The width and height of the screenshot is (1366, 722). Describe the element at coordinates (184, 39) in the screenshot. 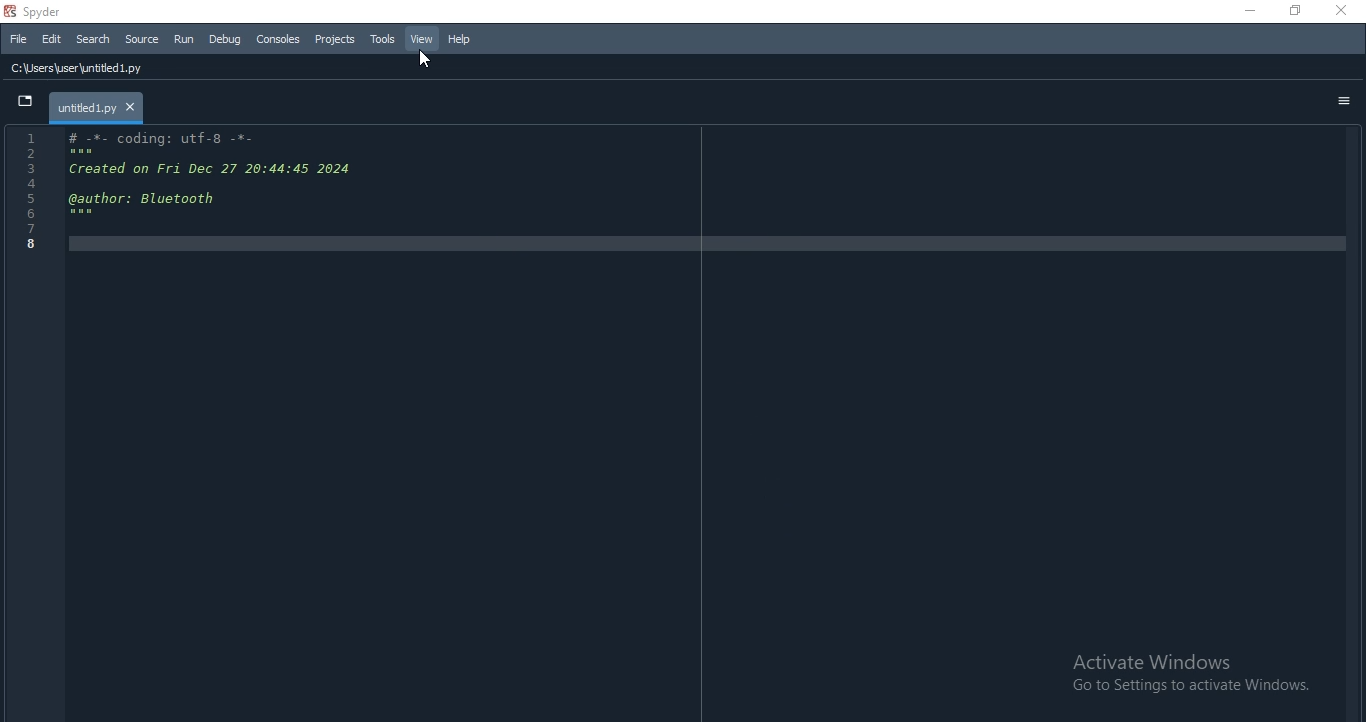

I see `Run` at that location.